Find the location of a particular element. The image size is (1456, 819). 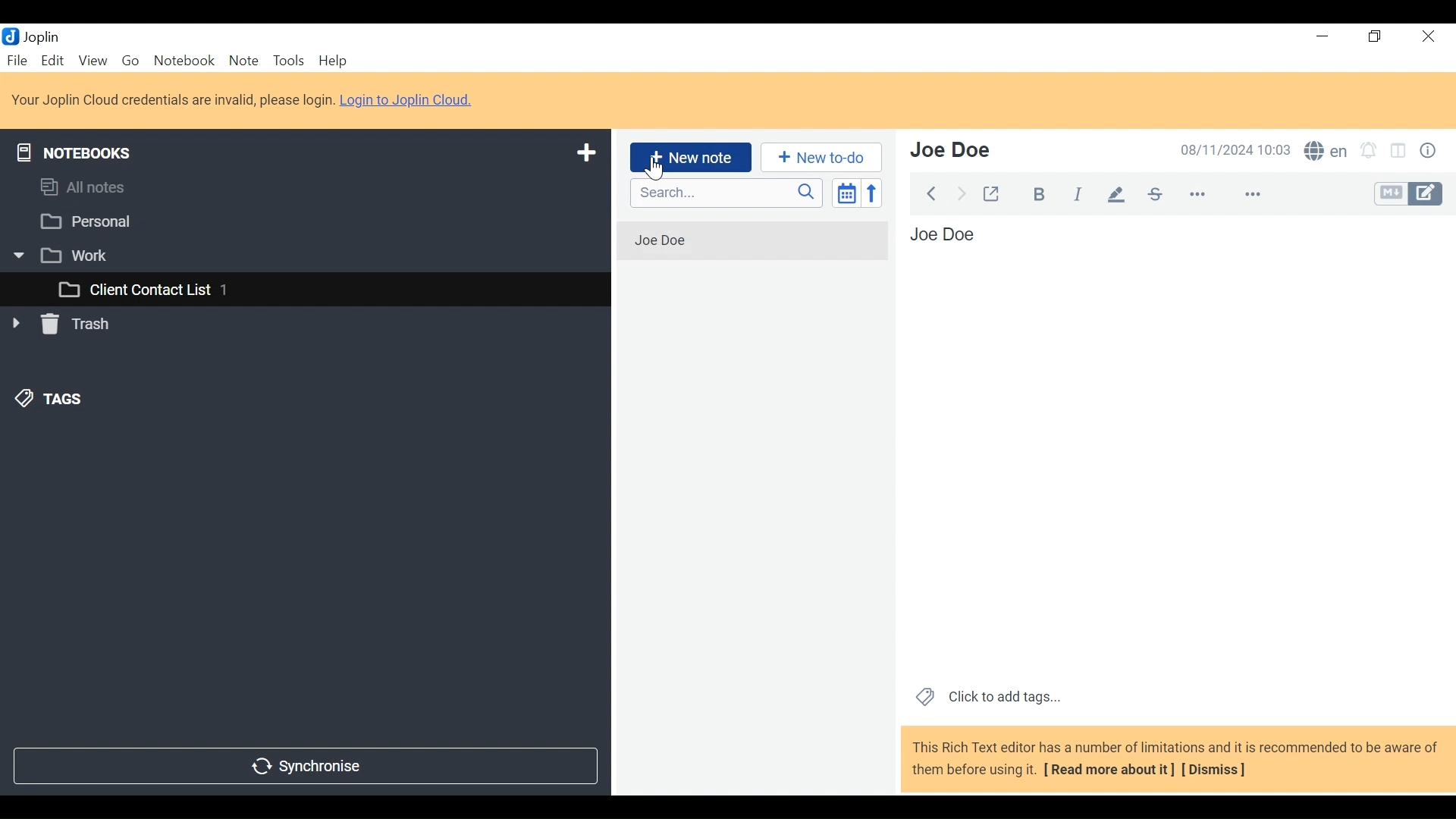

Highlight is located at coordinates (1117, 196).